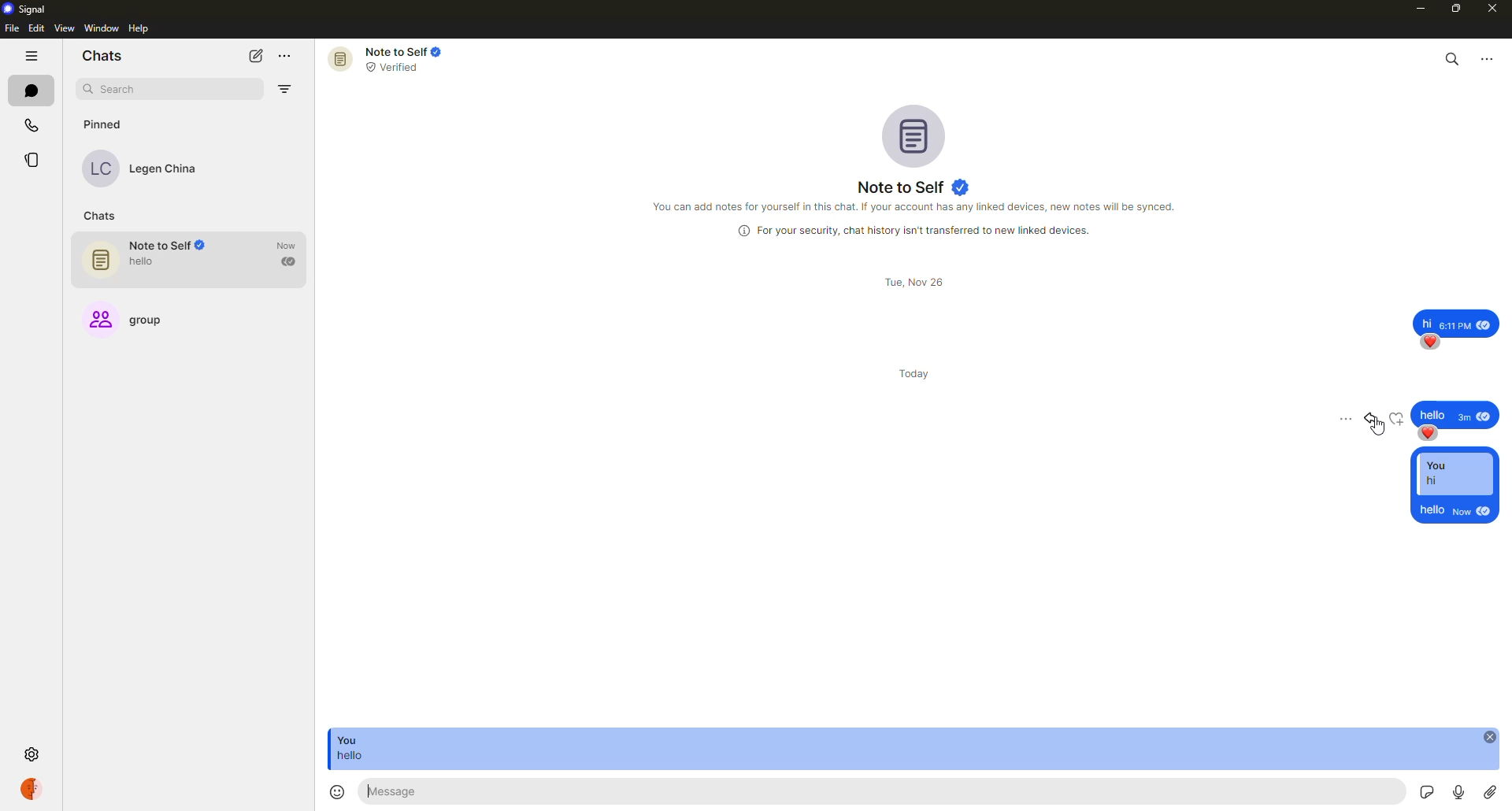 Image resolution: width=1512 pixels, height=811 pixels. What do you see at coordinates (31, 91) in the screenshot?
I see `chats` at bounding box center [31, 91].